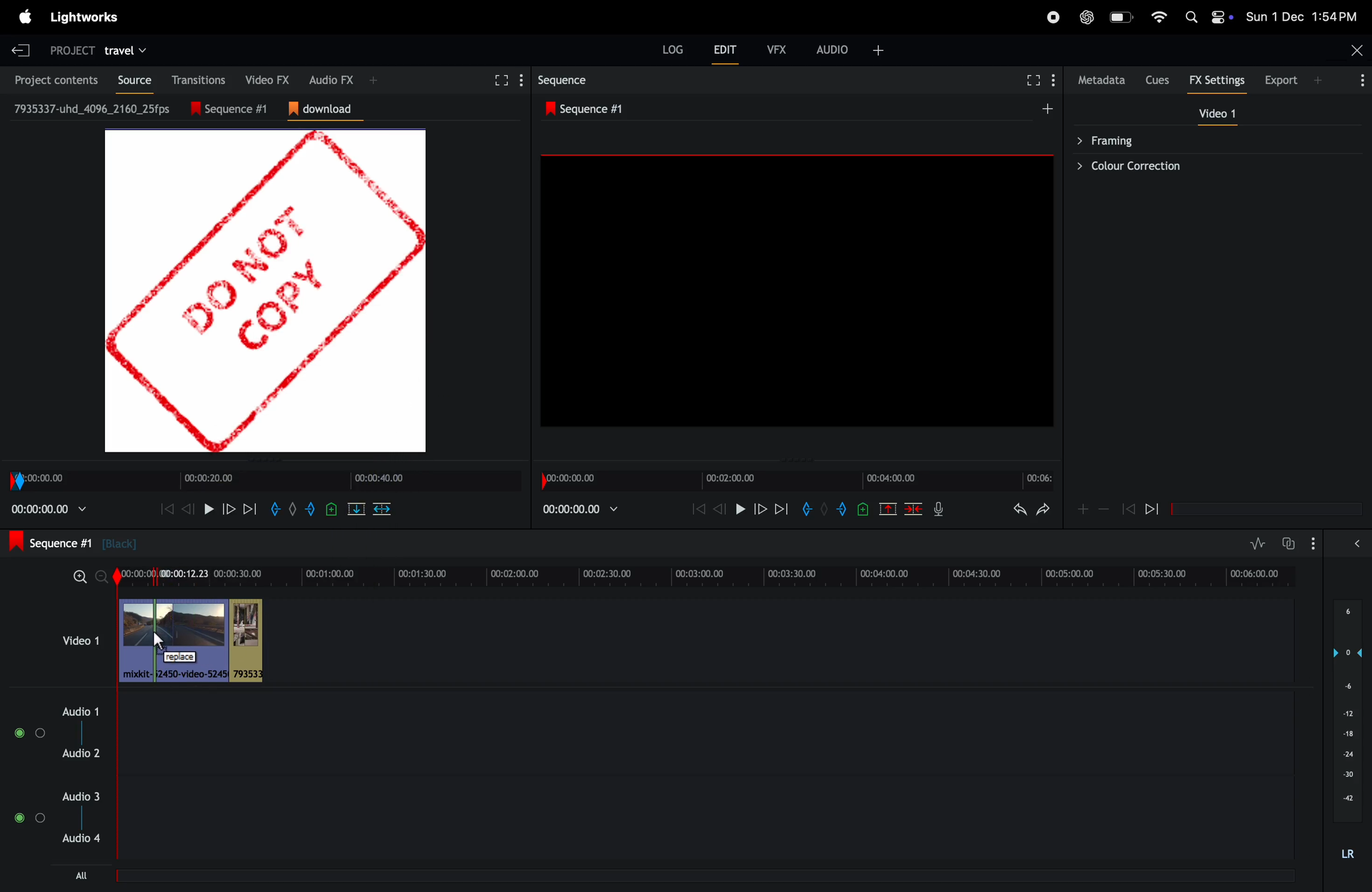  What do you see at coordinates (913, 508) in the screenshot?
I see `rewind` at bounding box center [913, 508].